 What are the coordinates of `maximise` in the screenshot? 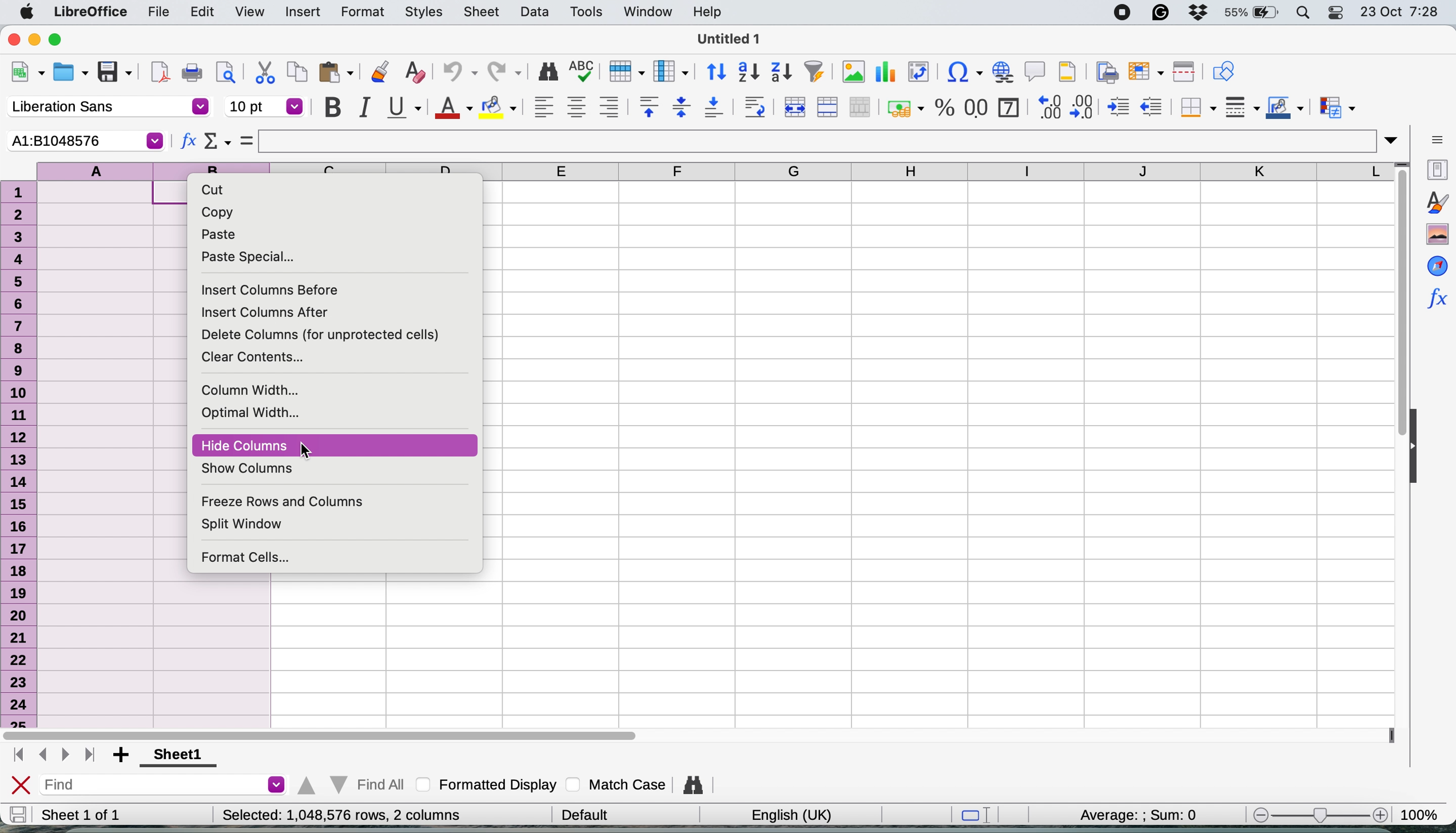 It's located at (61, 41).